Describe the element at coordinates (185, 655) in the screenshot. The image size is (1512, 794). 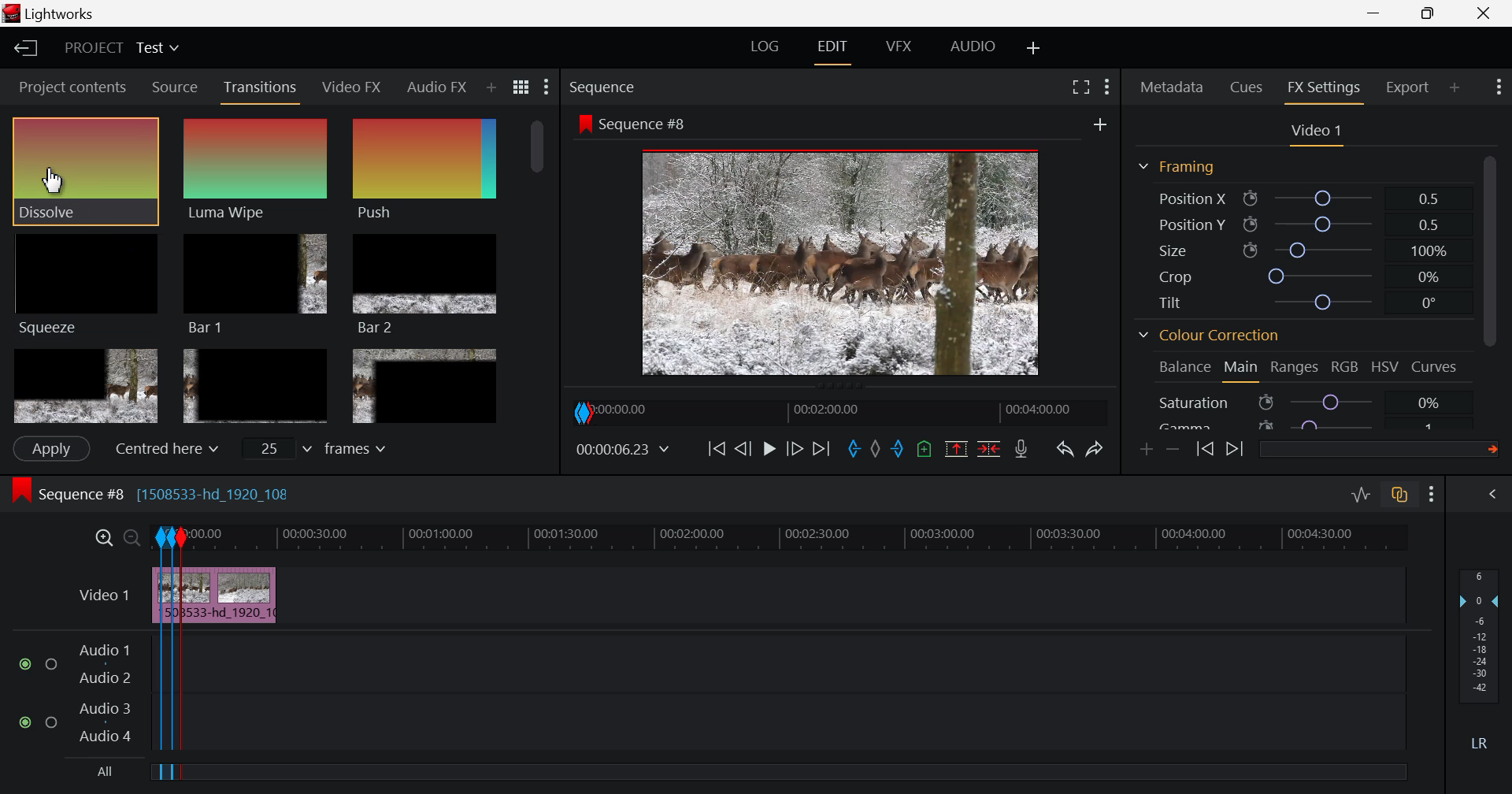
I see `Segment Out Mark` at that location.